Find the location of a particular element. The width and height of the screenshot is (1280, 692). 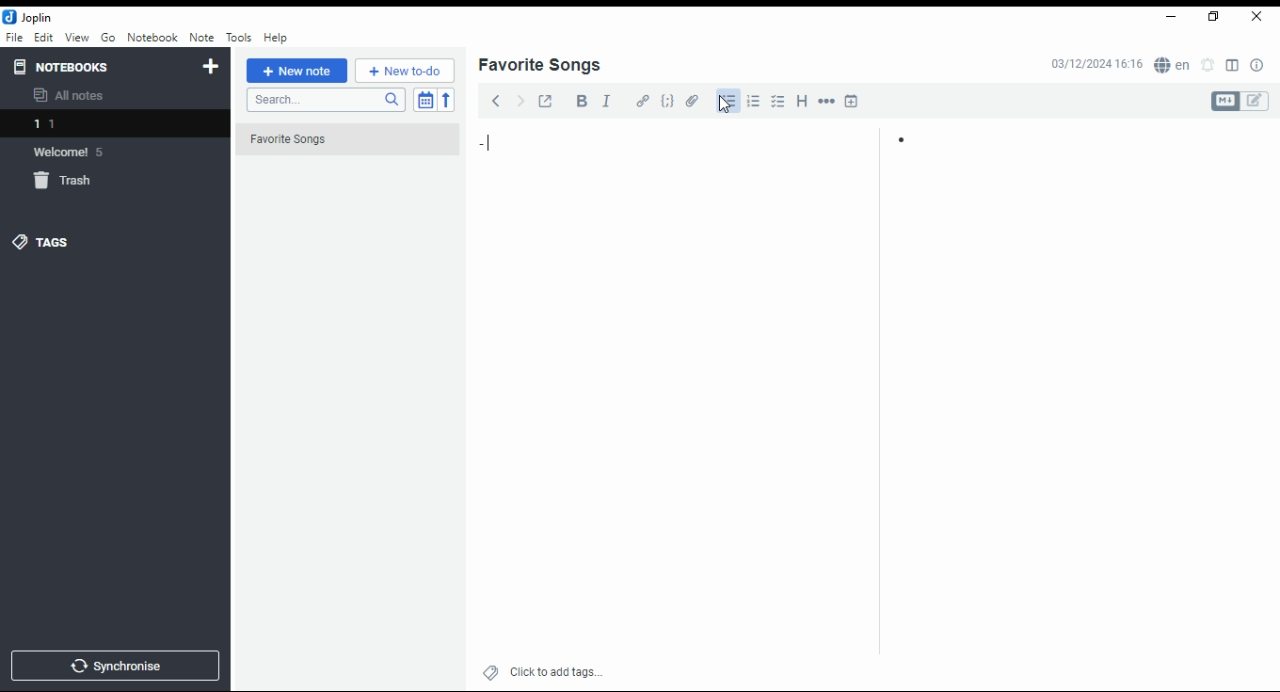

attach file is located at coordinates (693, 100).